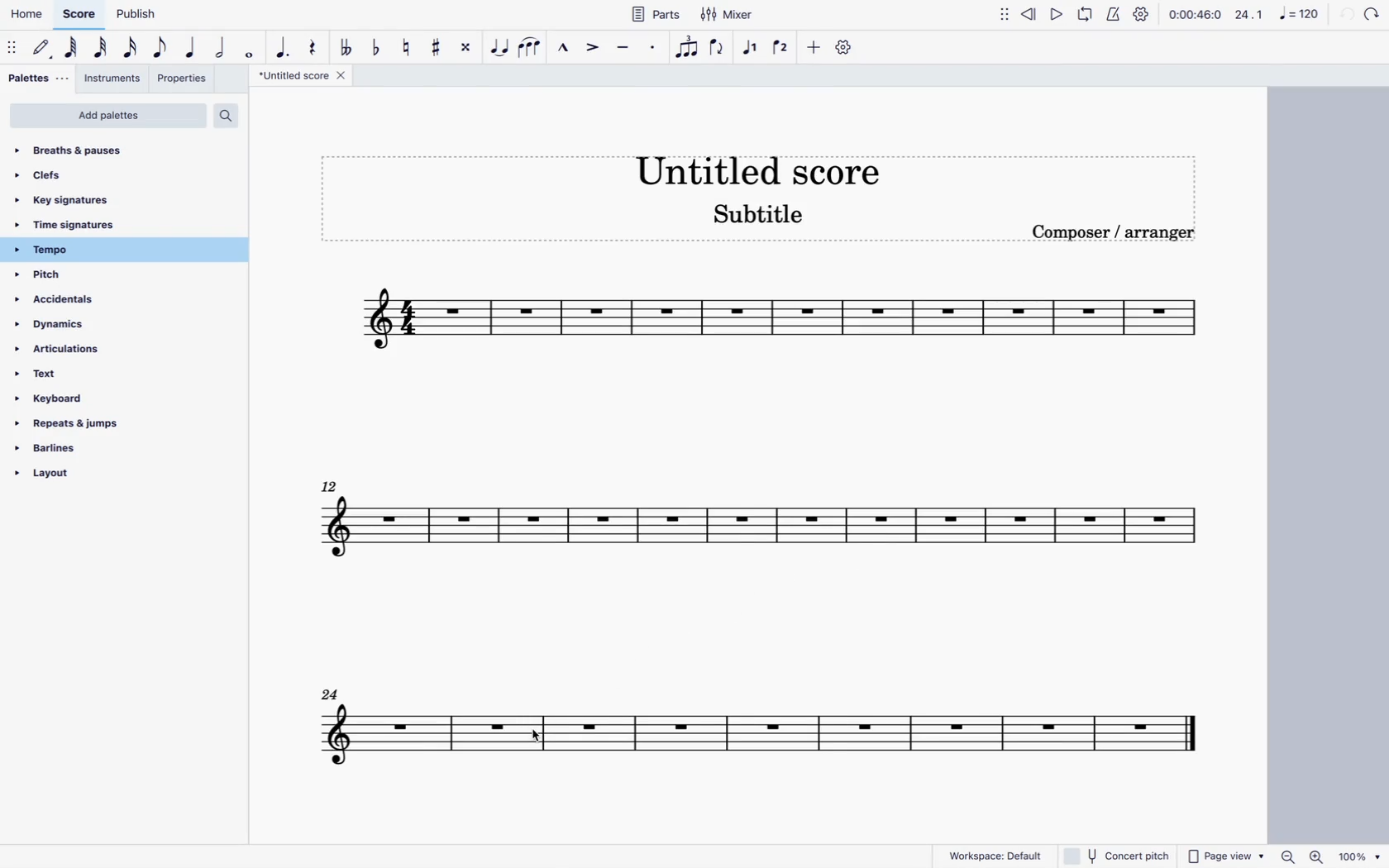  What do you see at coordinates (75, 422) in the screenshot?
I see `repeats & jumps` at bounding box center [75, 422].